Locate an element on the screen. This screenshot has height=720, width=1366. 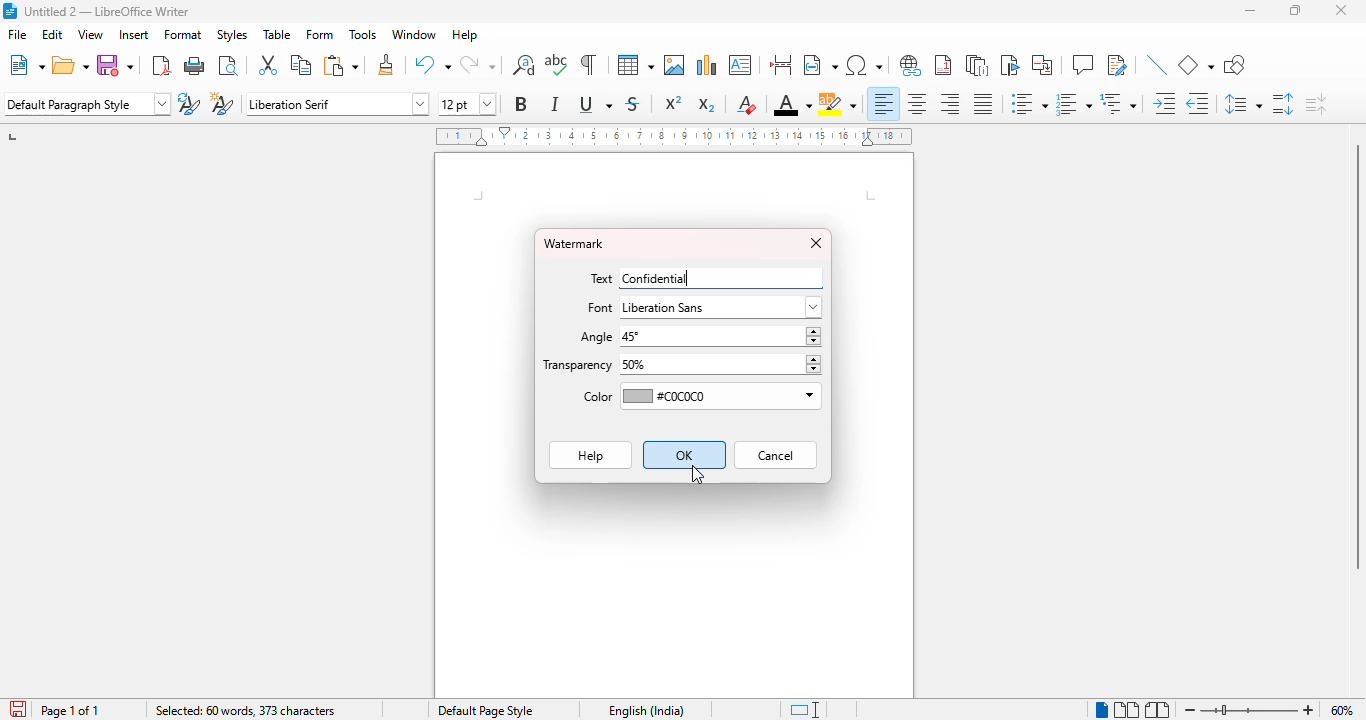
default page style is located at coordinates (486, 710).